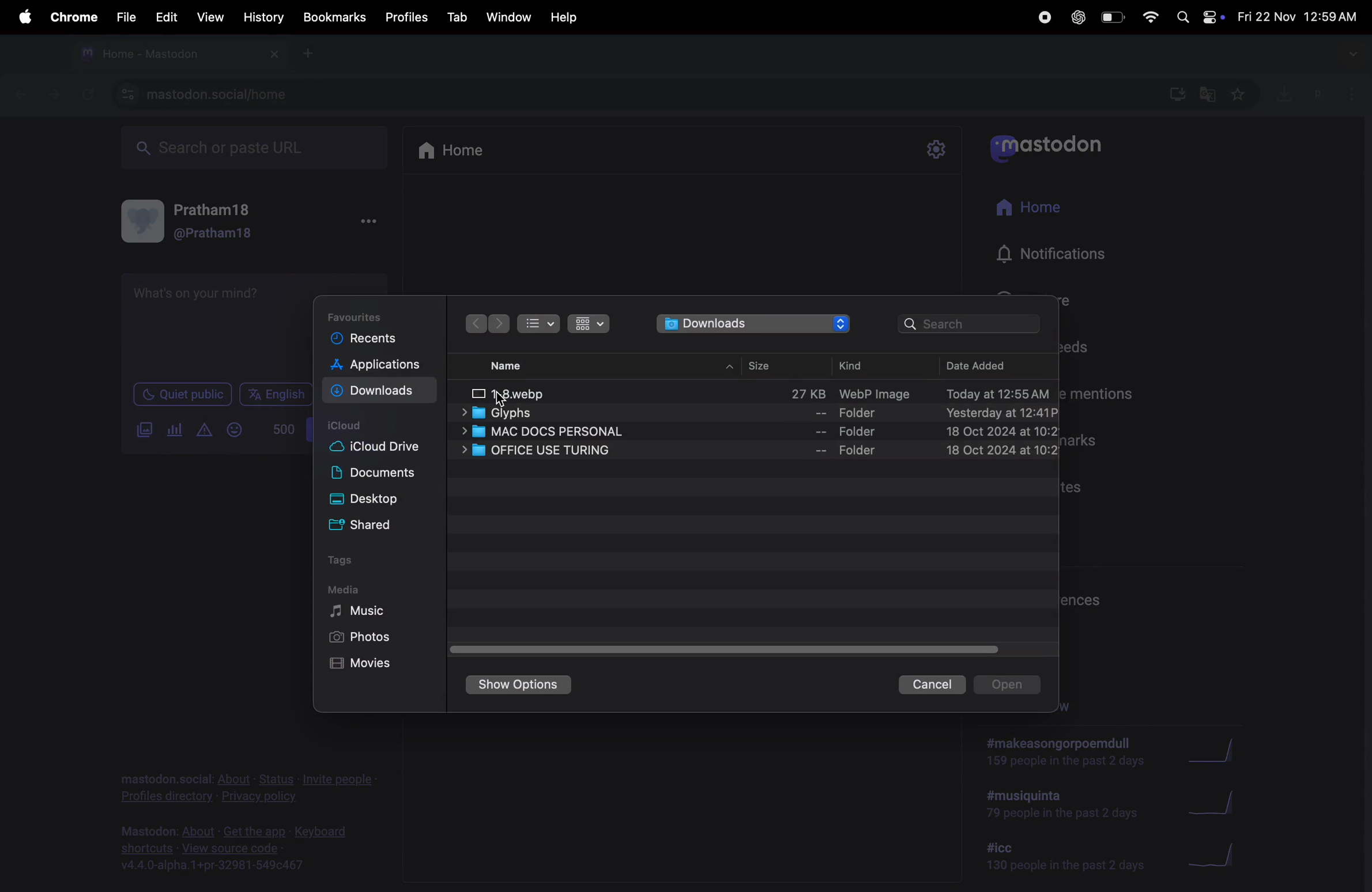  I want to click on emoji, so click(235, 430).